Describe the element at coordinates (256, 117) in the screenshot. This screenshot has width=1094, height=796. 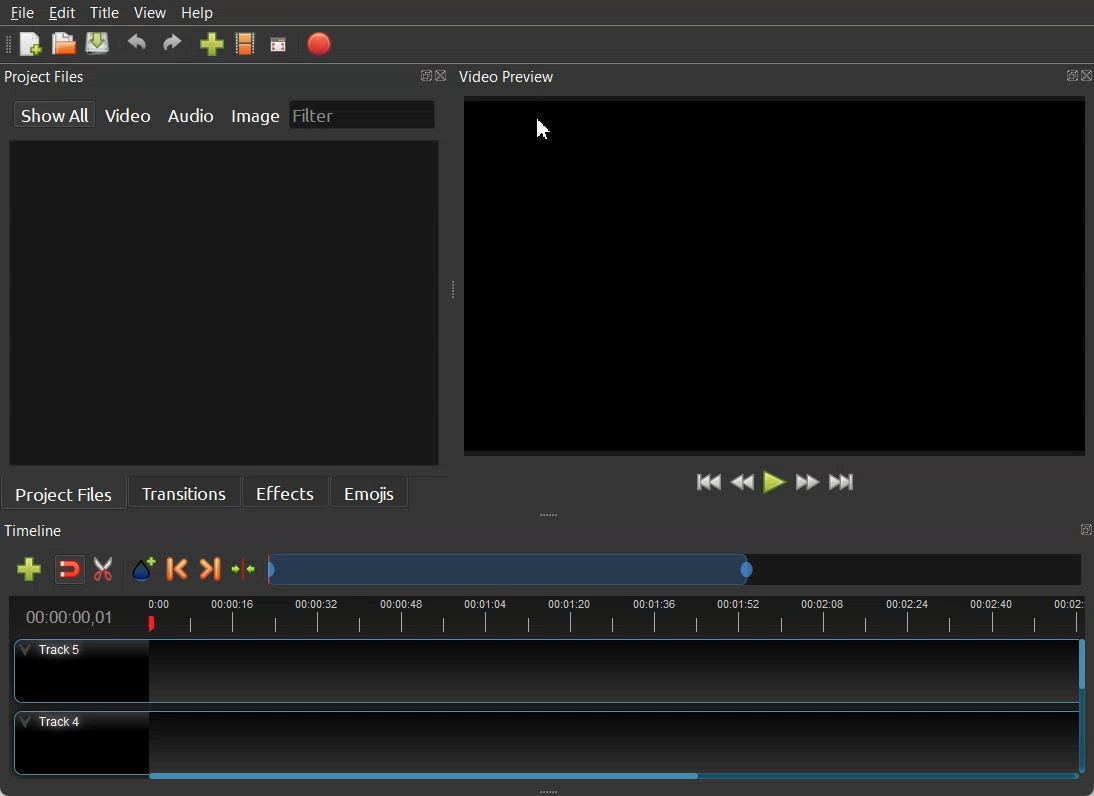
I see `Image` at that location.